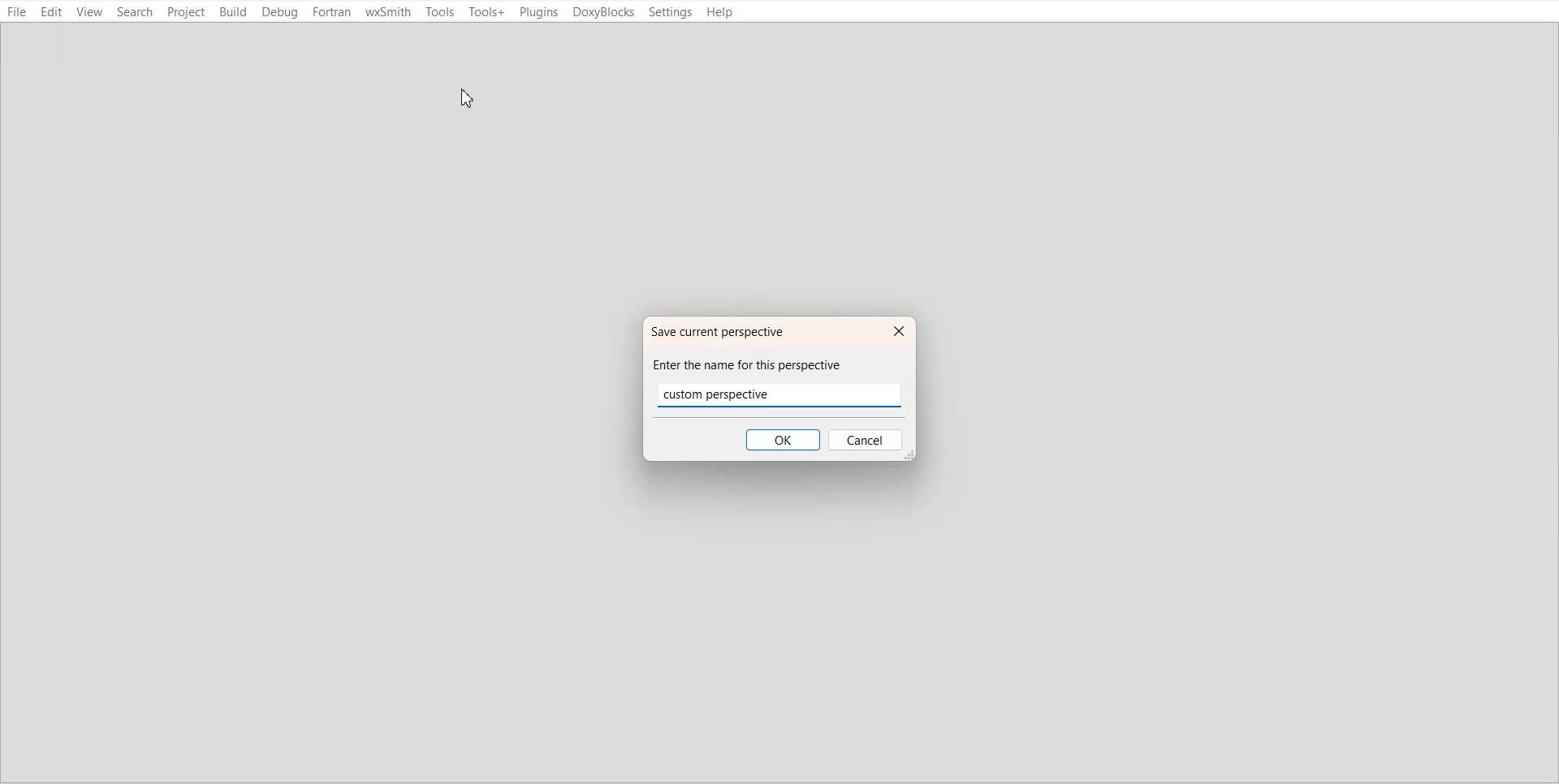 This screenshot has height=784, width=1559. What do you see at coordinates (867, 441) in the screenshot?
I see `Cancel` at bounding box center [867, 441].